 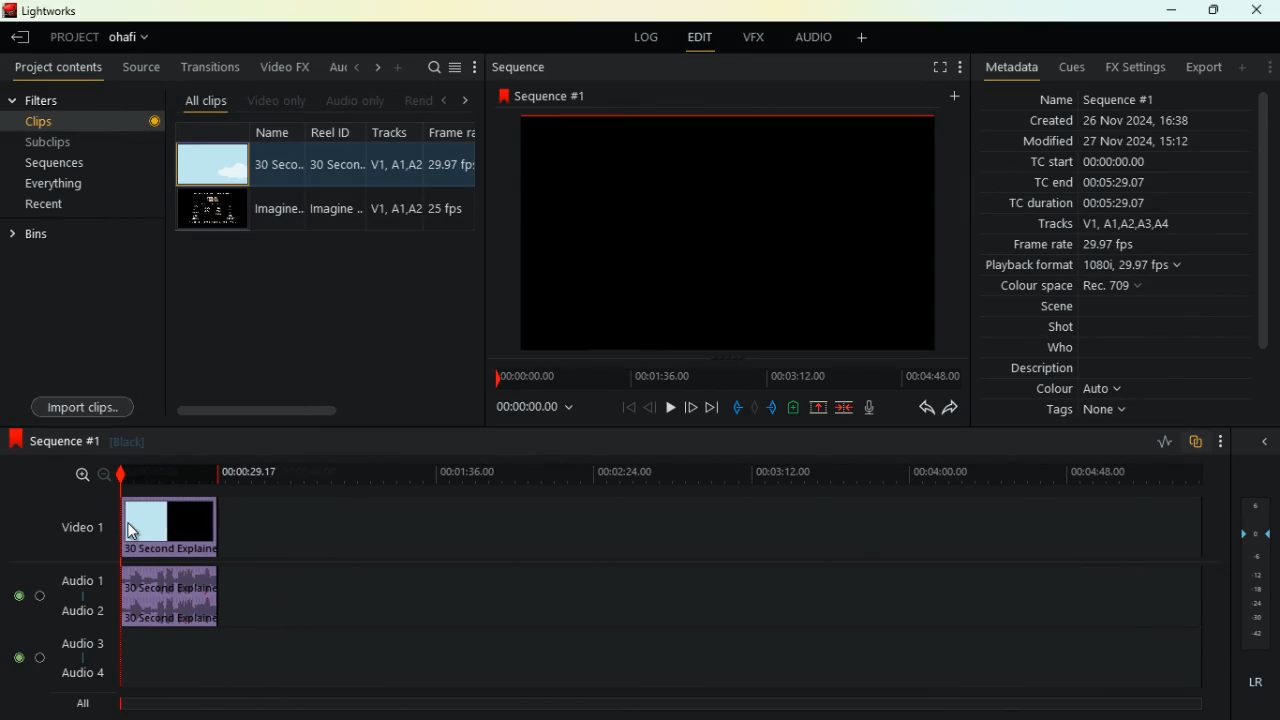 What do you see at coordinates (81, 405) in the screenshot?
I see `import clips` at bounding box center [81, 405].